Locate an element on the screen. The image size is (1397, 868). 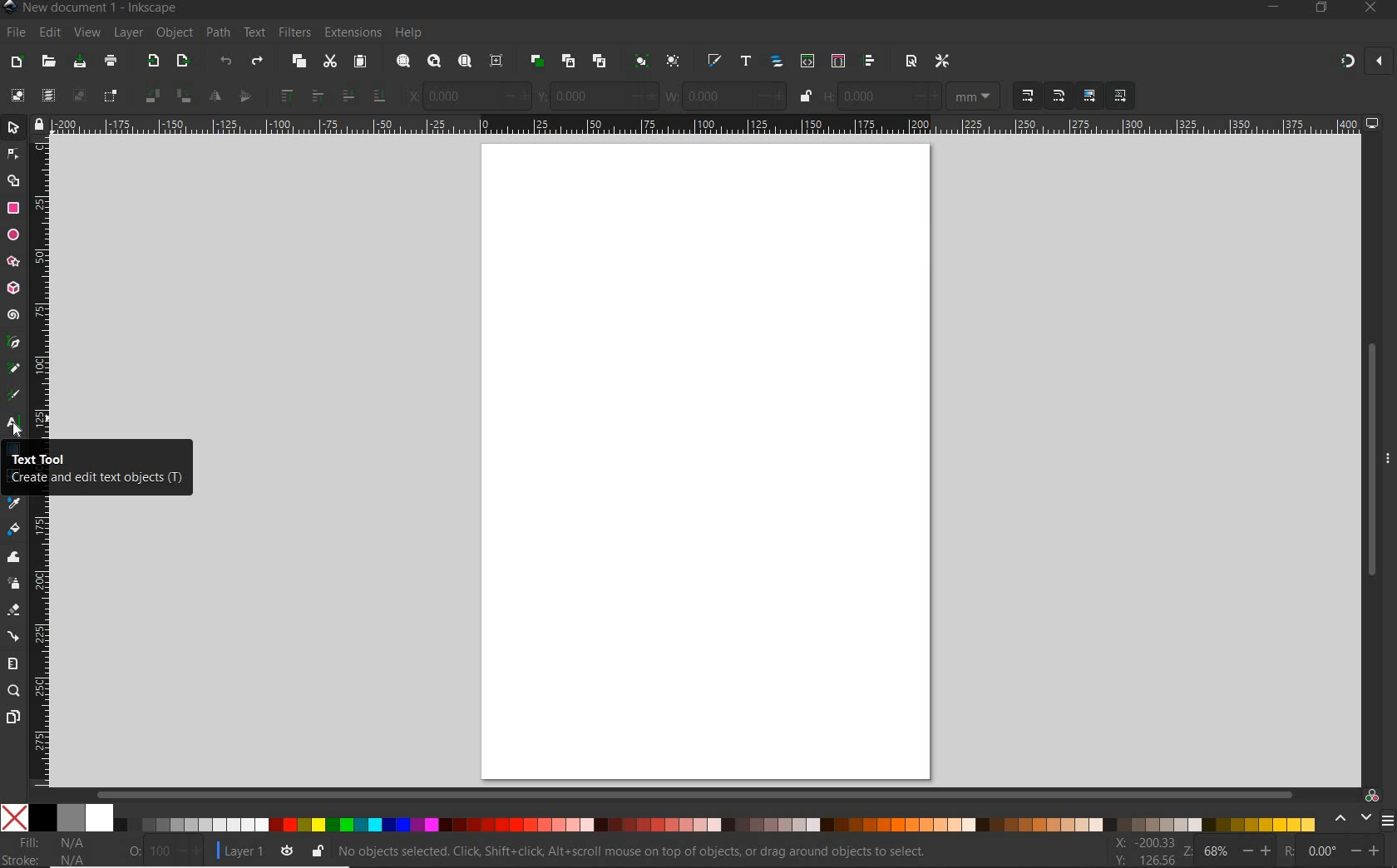
pencil tool is located at coordinates (12, 369).